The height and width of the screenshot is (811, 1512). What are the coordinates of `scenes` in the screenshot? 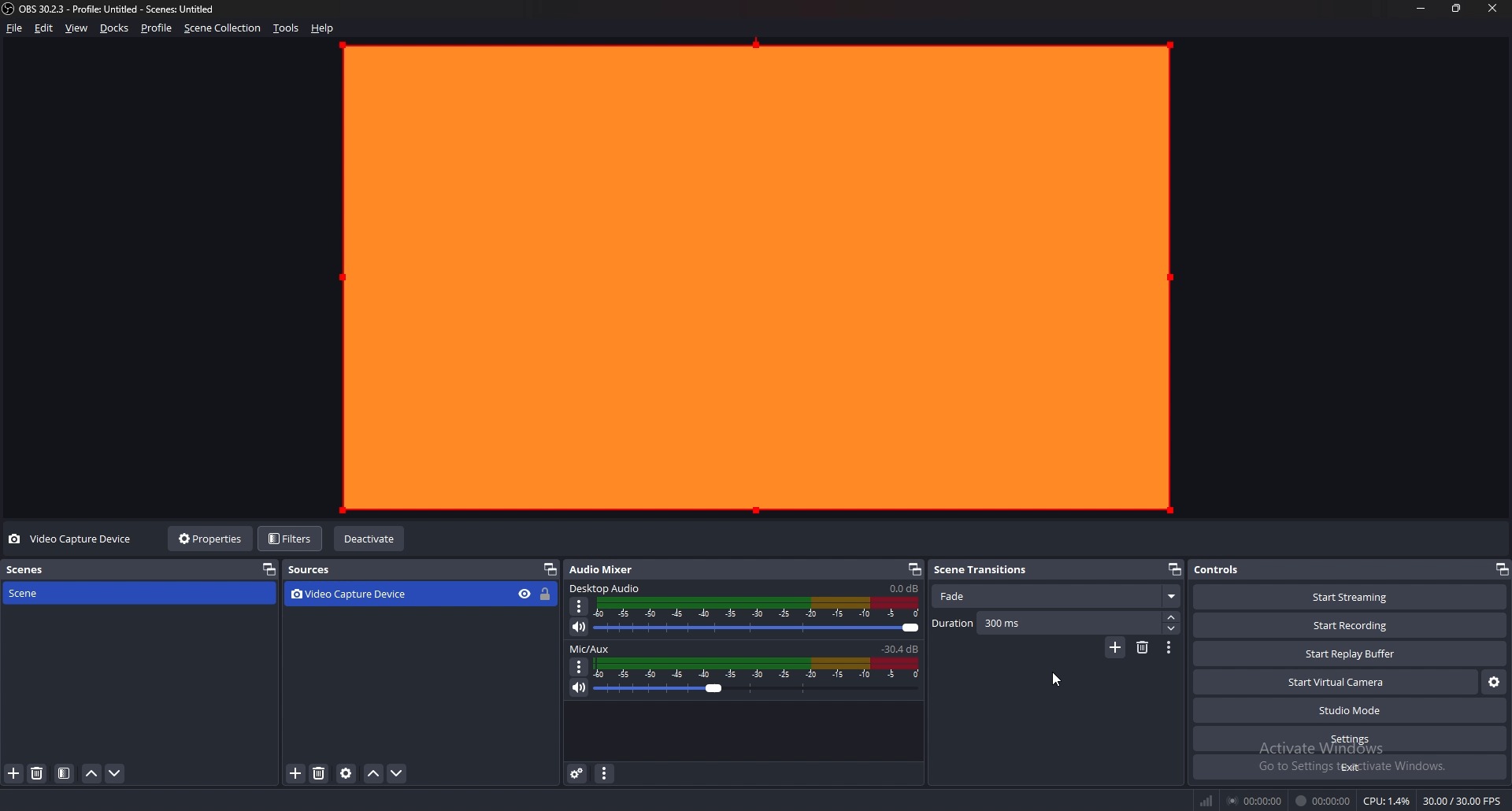 It's located at (78, 569).